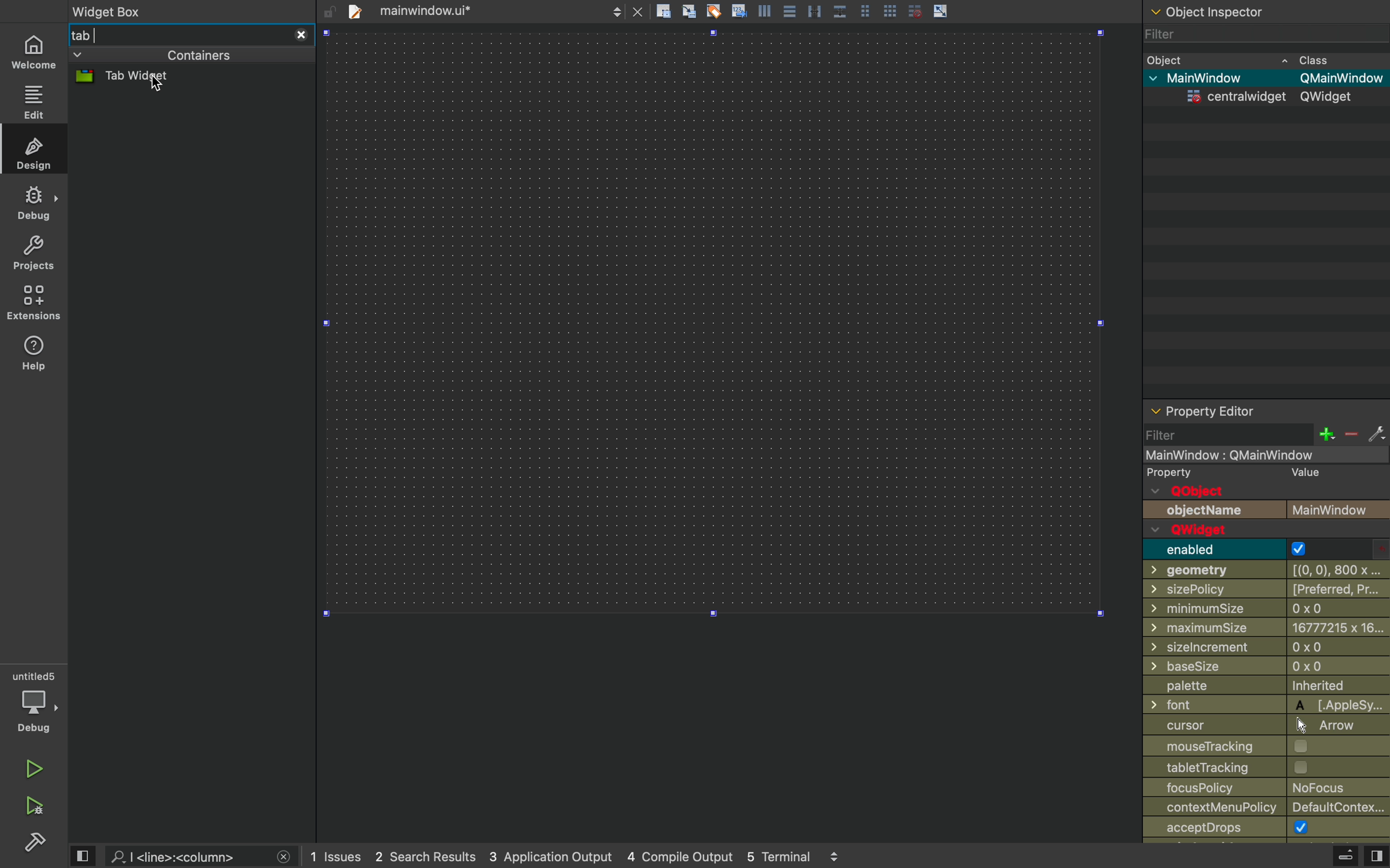  I want to click on search, so click(188, 855).